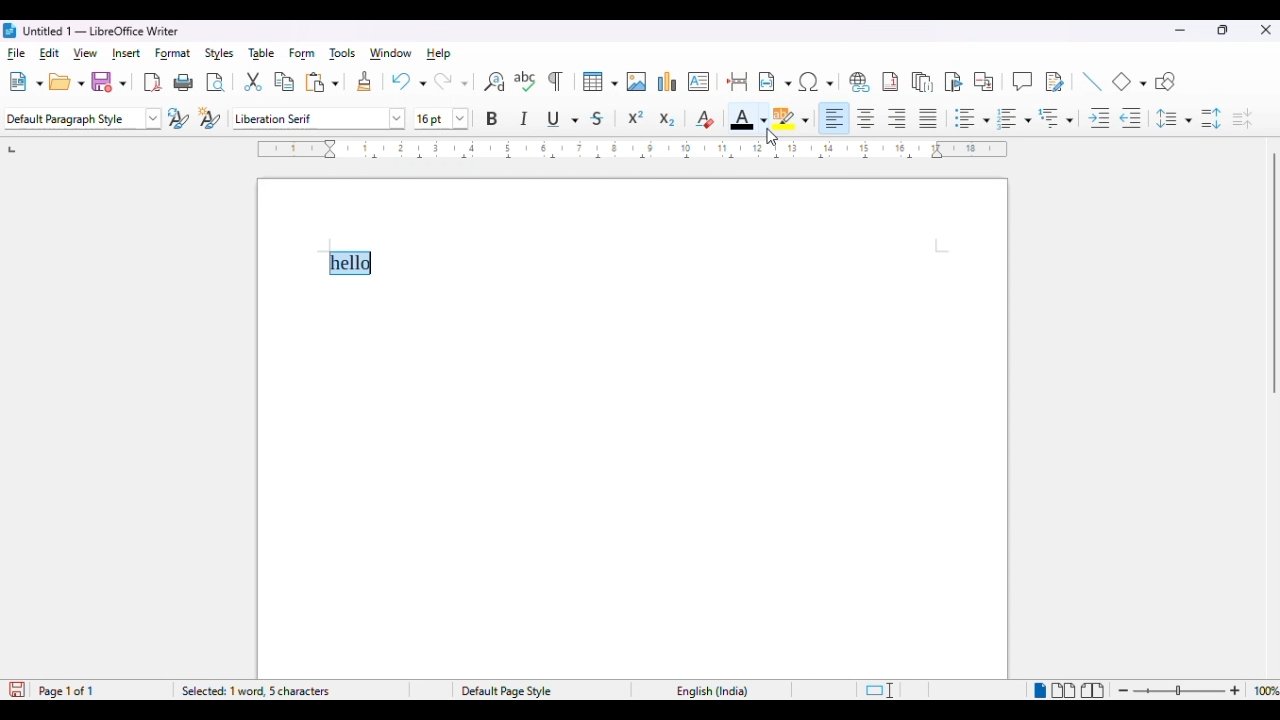 The width and height of the screenshot is (1280, 720). I want to click on window, so click(390, 53).